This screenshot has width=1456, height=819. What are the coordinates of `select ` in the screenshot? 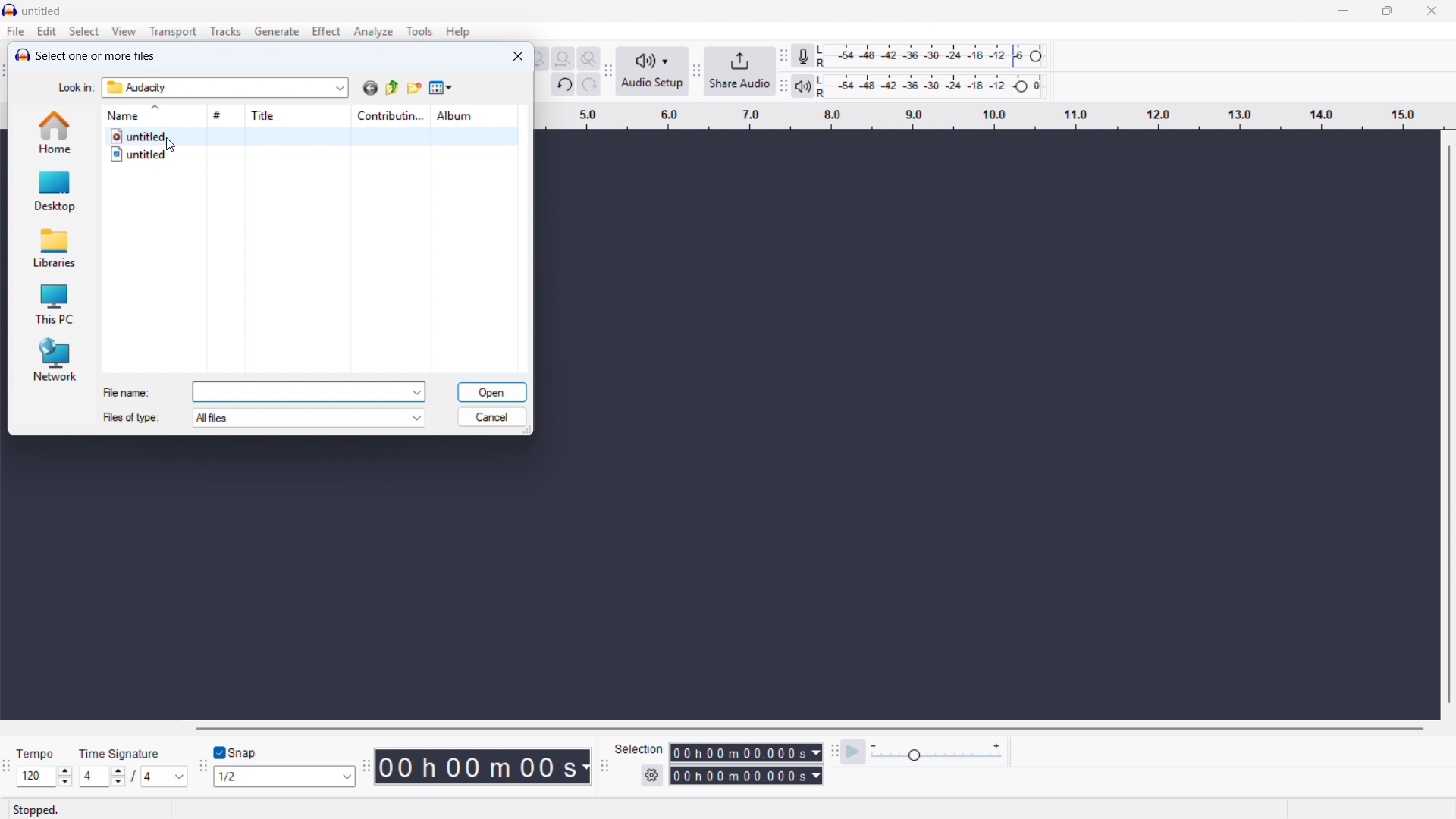 It's located at (85, 32).